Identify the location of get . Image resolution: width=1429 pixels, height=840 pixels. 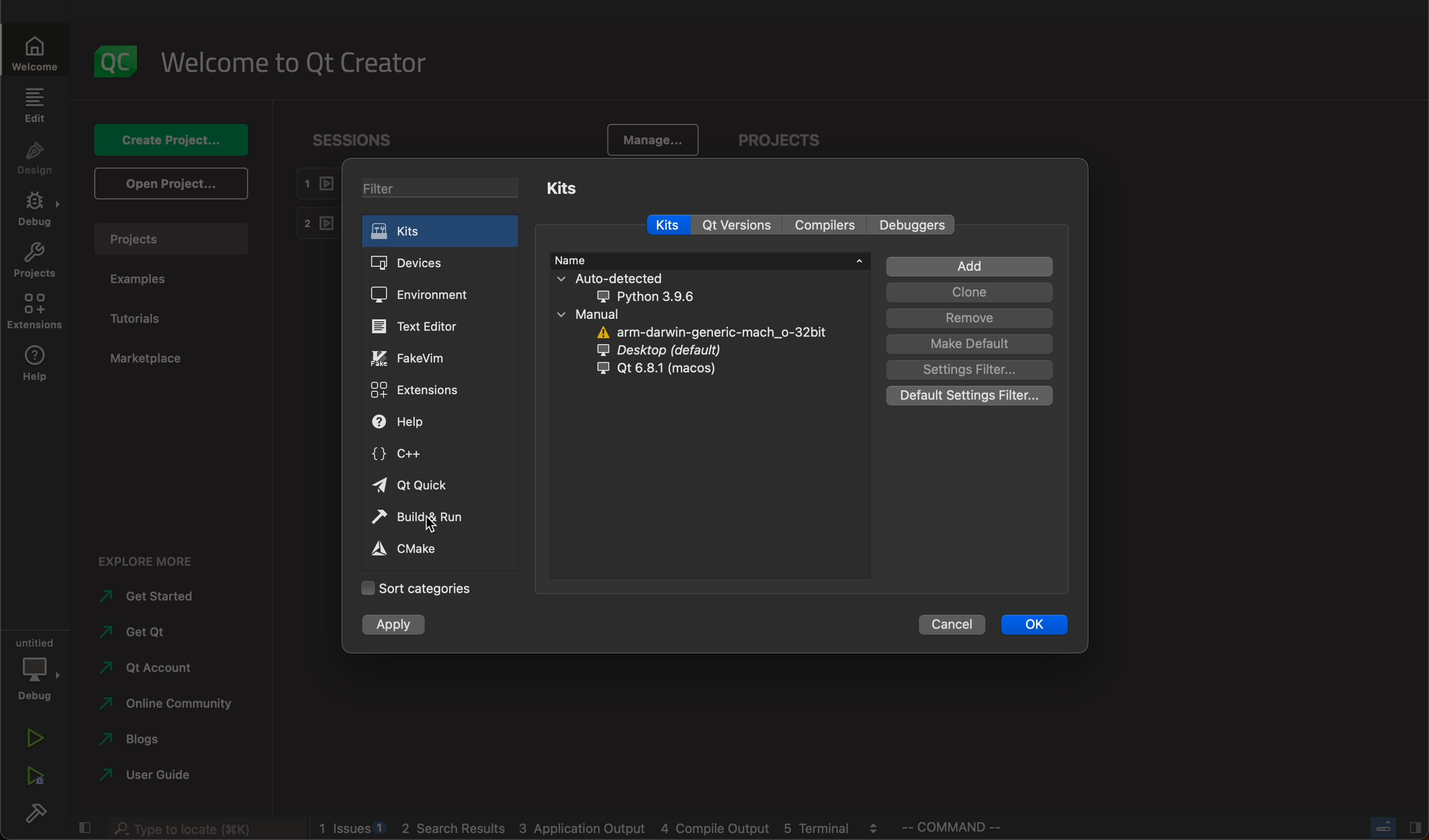
(158, 632).